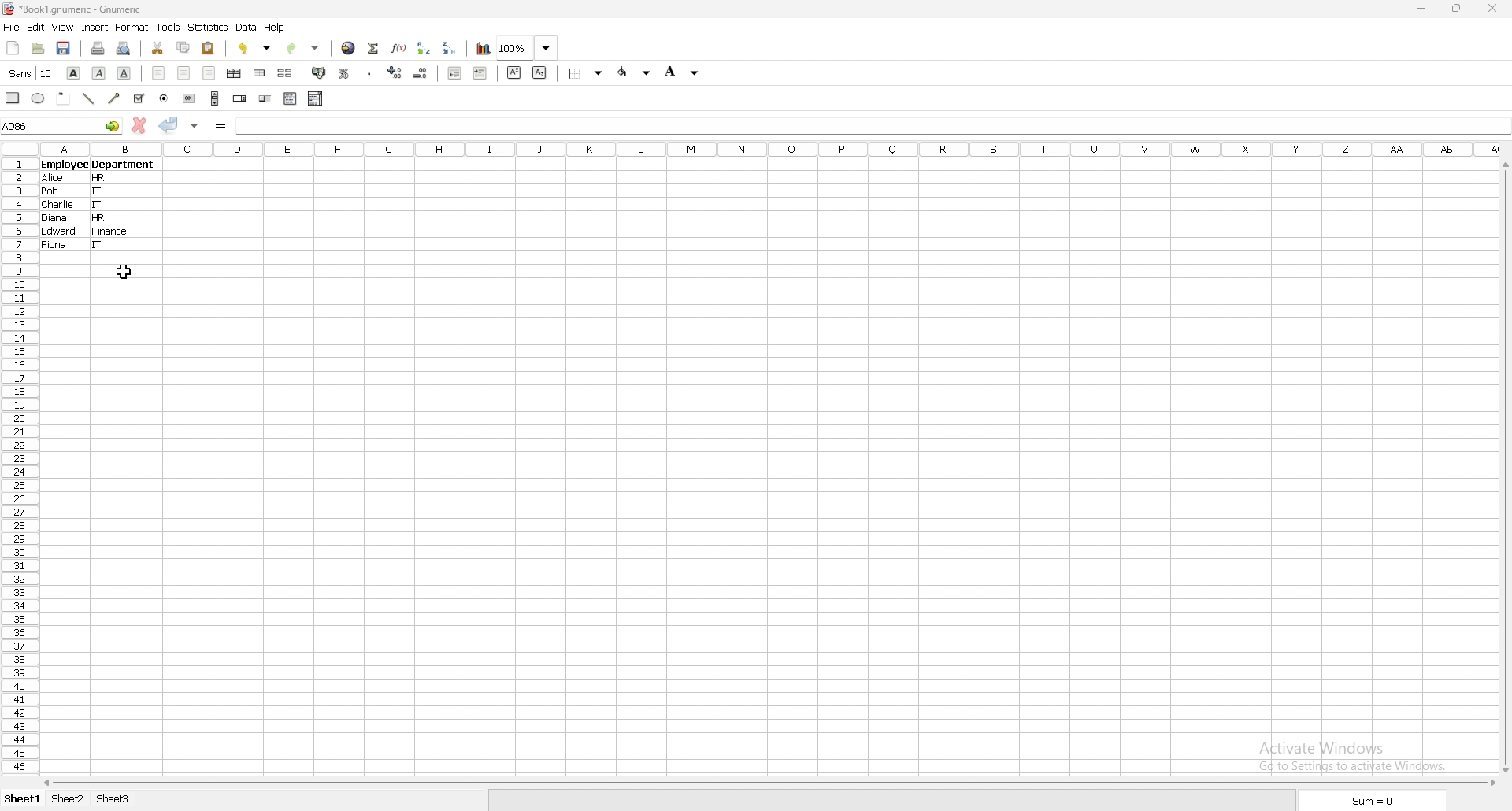  I want to click on centre horizontally, so click(235, 74).